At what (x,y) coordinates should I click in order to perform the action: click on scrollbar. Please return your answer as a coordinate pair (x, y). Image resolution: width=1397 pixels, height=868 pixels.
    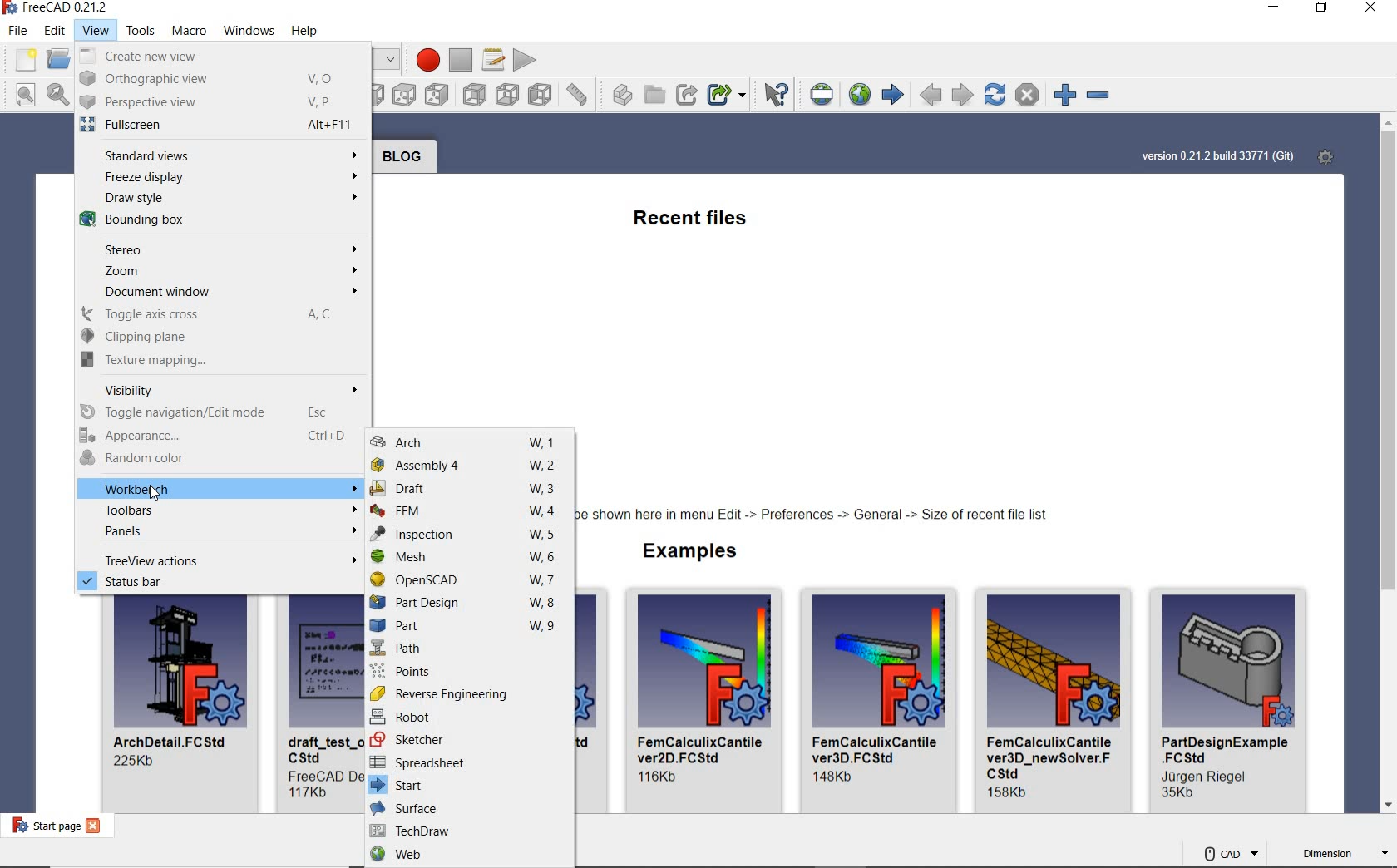
    Looking at the image, I should click on (1388, 466).